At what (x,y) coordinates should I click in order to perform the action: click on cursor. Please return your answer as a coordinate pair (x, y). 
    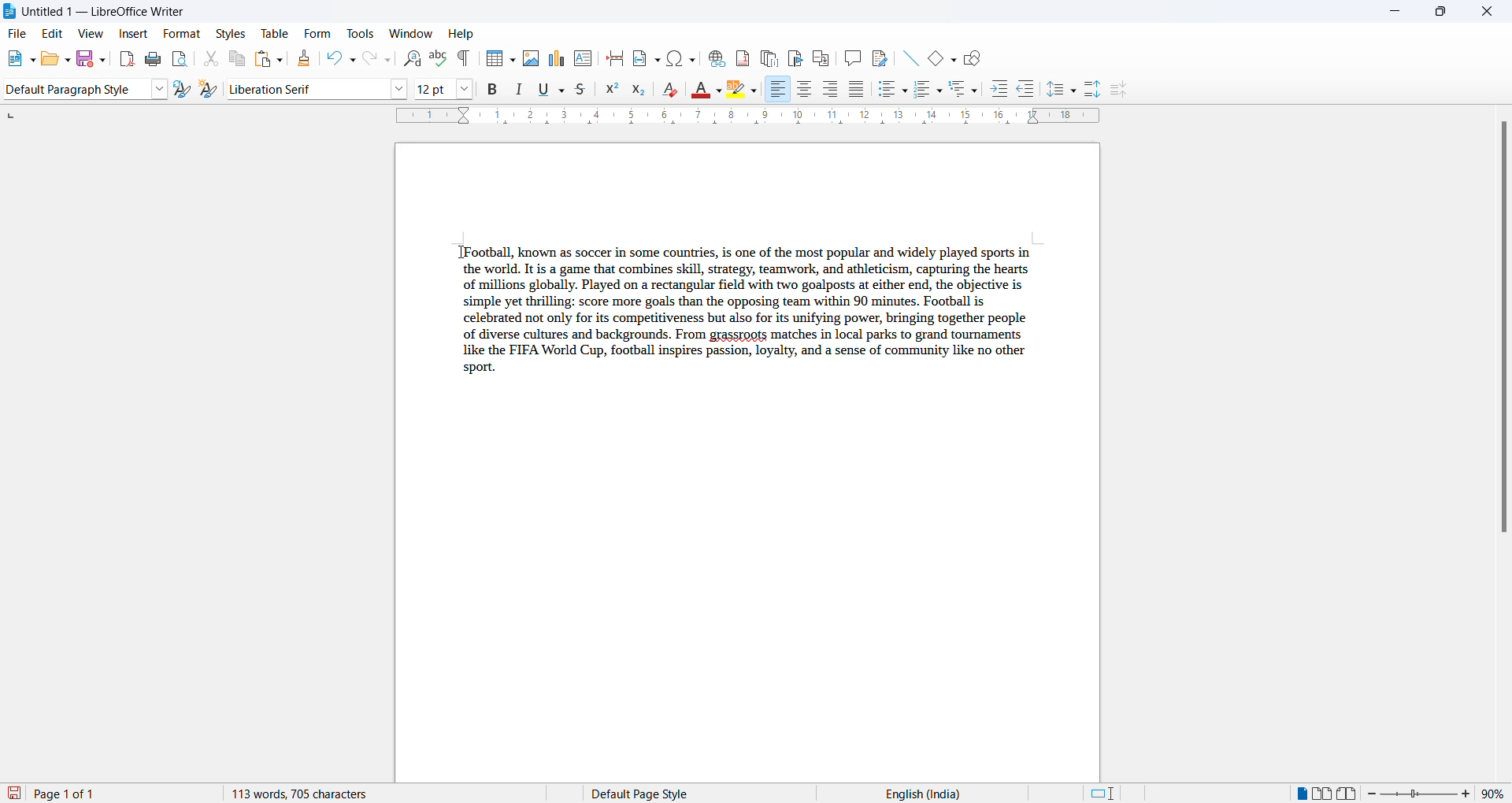
    Looking at the image, I should click on (458, 253).